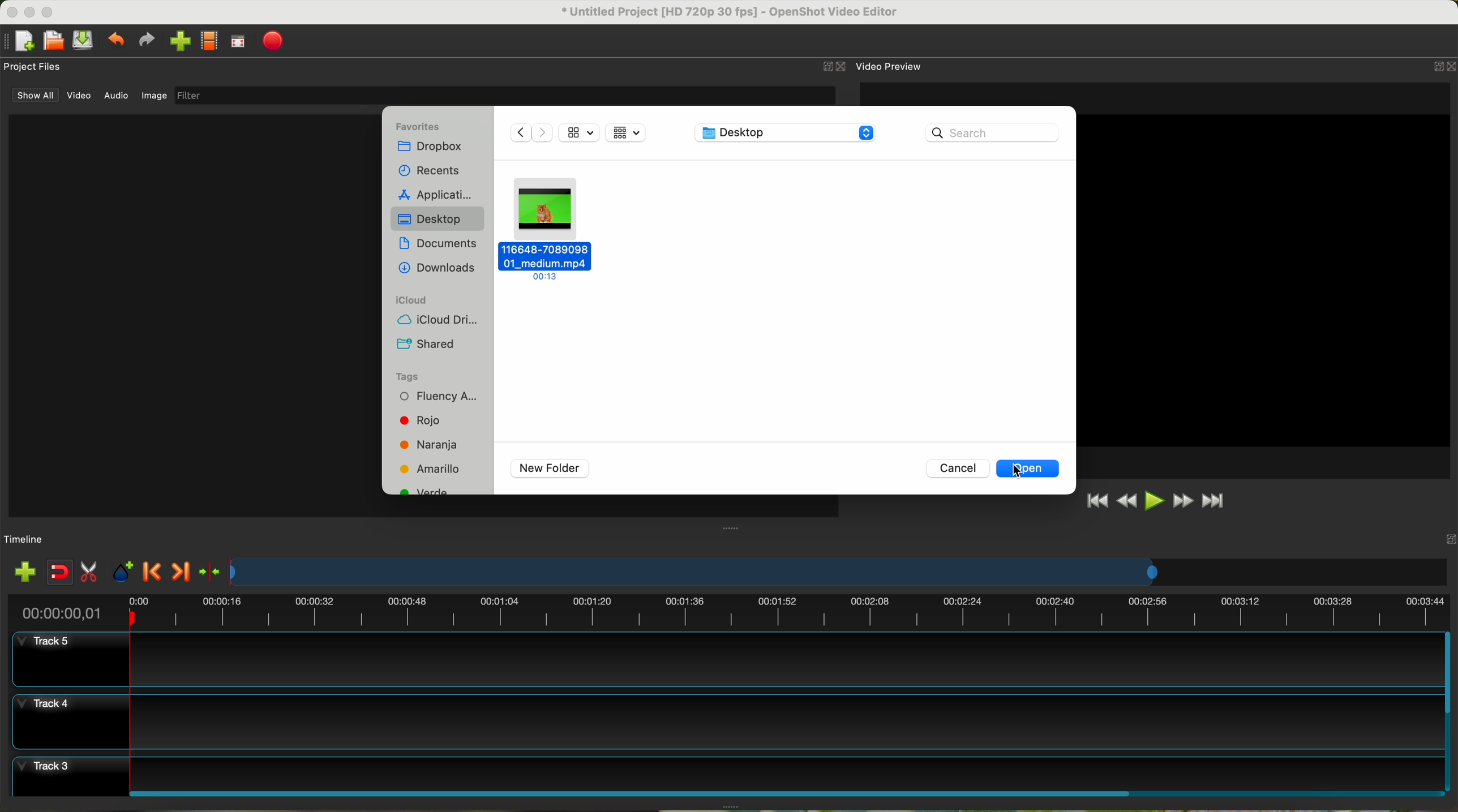 The image size is (1458, 812). Describe the element at coordinates (439, 221) in the screenshot. I see `click on desktop` at that location.